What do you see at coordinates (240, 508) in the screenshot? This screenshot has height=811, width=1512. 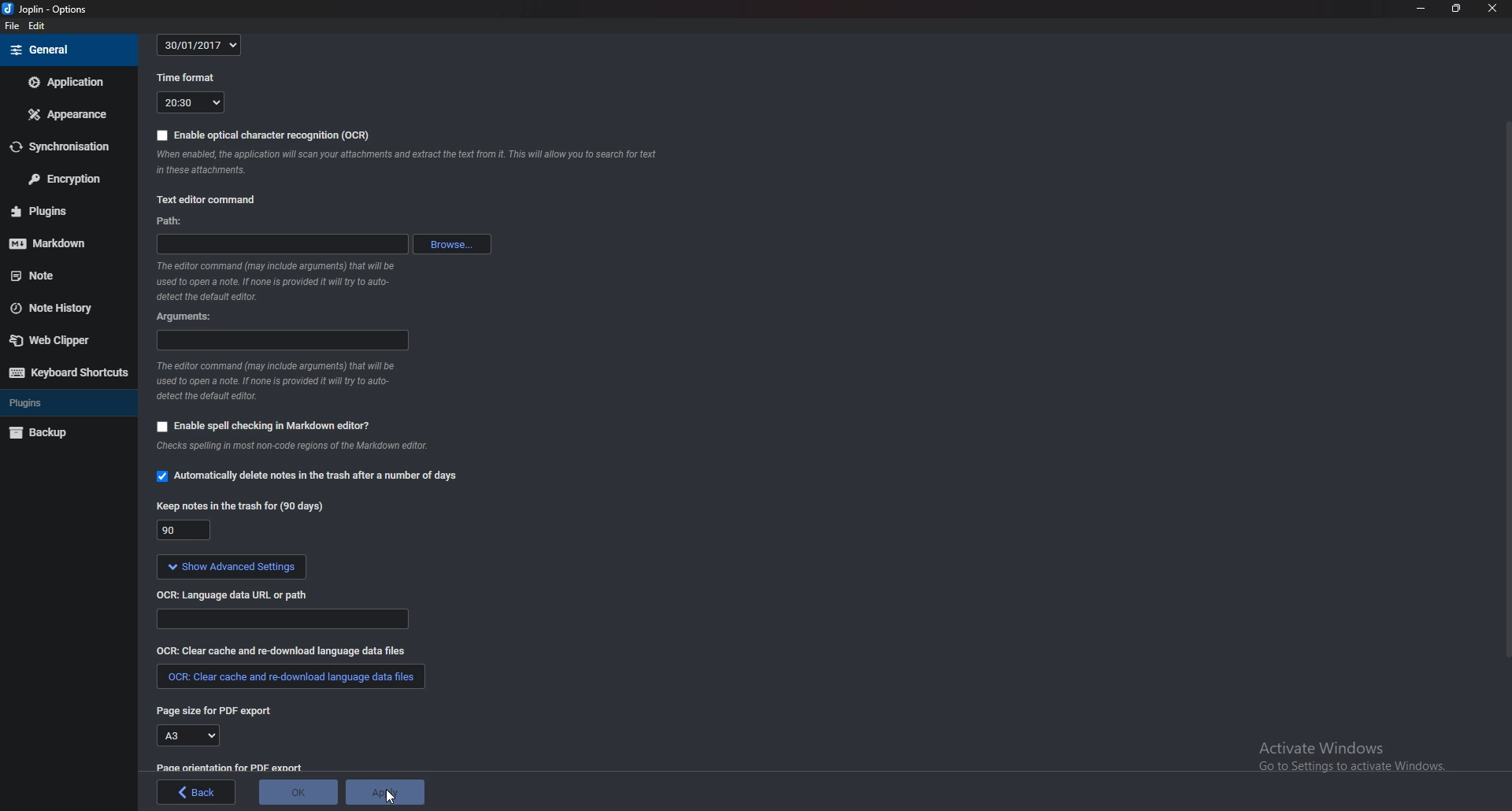 I see `Keep notes in the trash for` at bounding box center [240, 508].